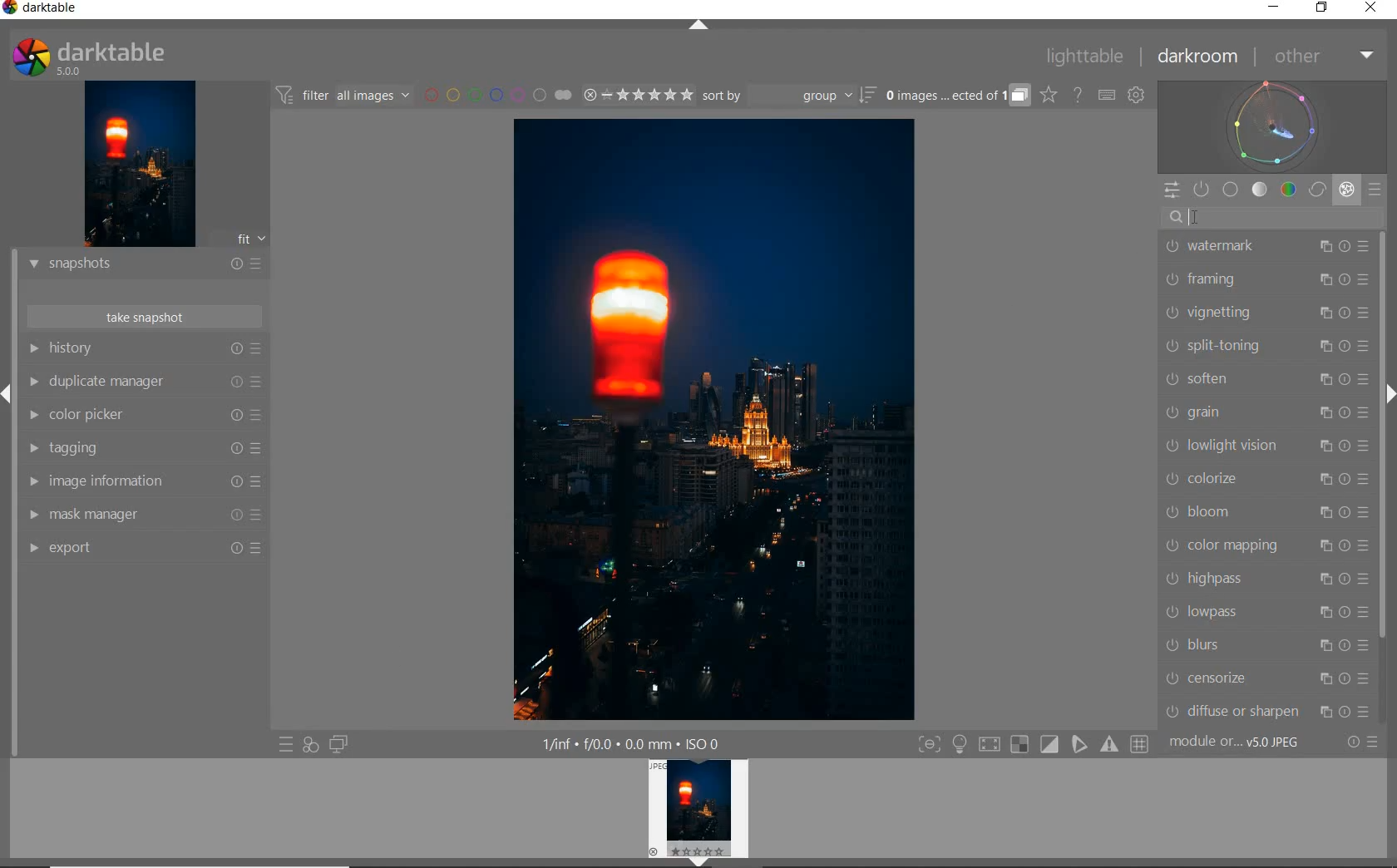  Describe the element at coordinates (1376, 191) in the screenshot. I see `PRESETS` at that location.